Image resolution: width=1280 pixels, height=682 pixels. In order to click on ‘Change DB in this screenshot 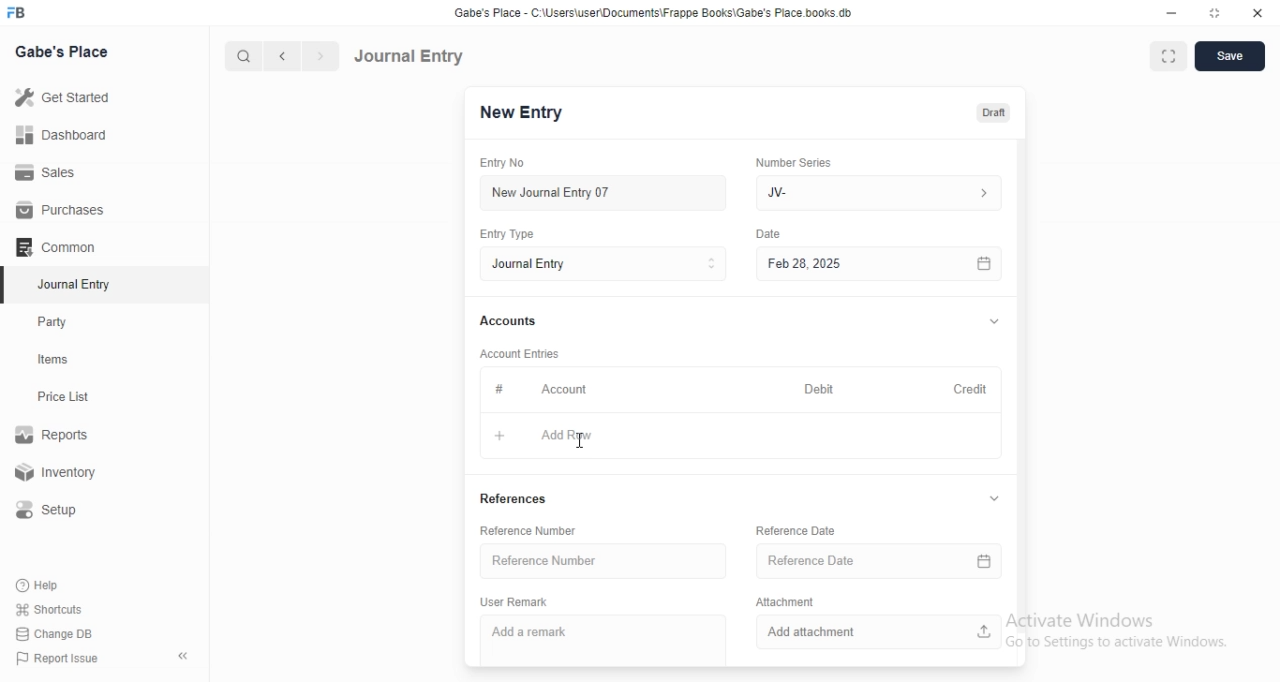, I will do `click(55, 634)`.